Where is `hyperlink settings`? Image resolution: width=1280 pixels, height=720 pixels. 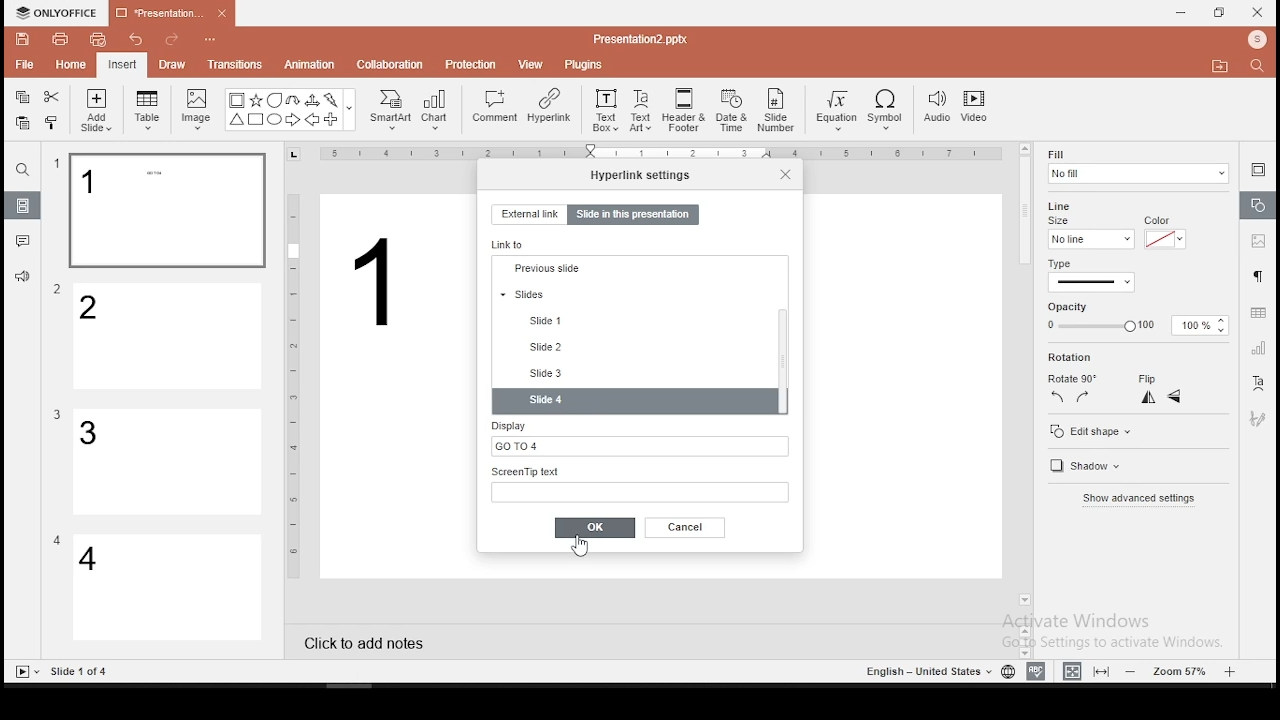 hyperlink settings is located at coordinates (641, 174).